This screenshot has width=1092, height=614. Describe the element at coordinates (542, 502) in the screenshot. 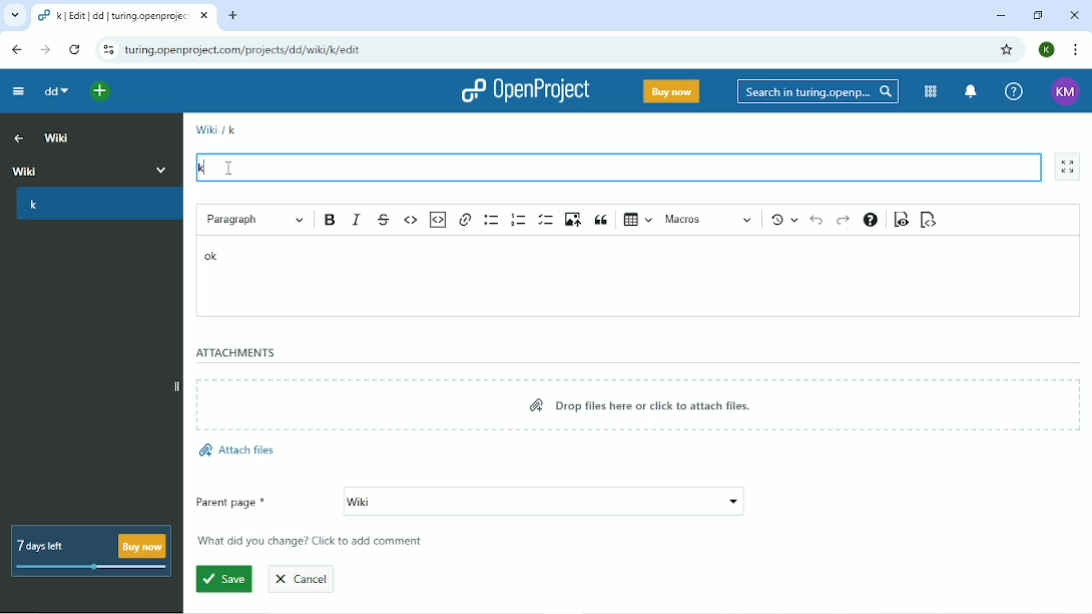

I see `Wiki` at that location.